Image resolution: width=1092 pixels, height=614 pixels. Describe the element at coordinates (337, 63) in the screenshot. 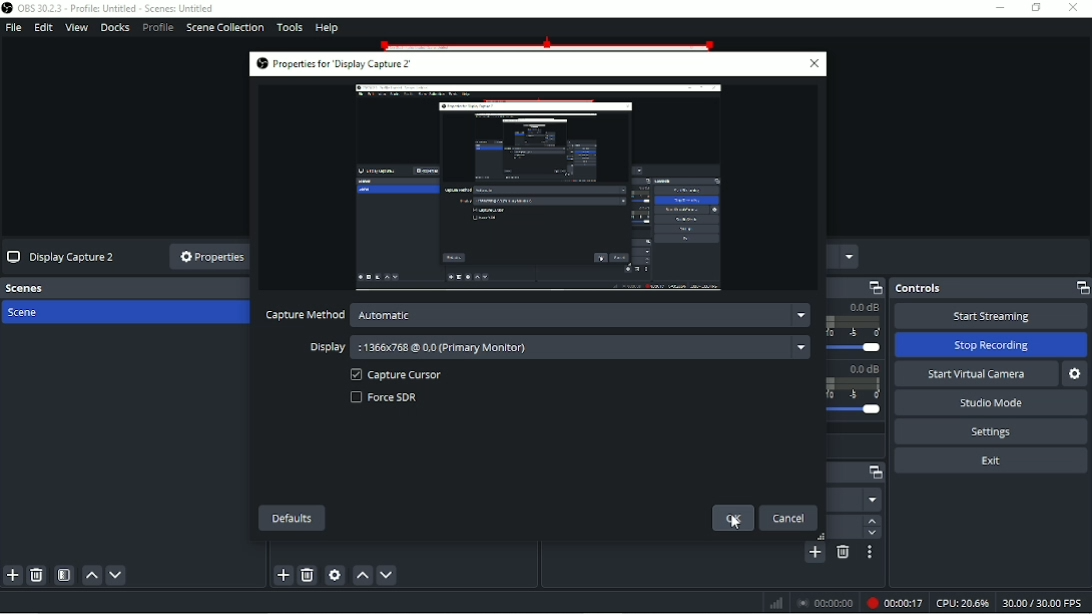

I see `Properties for 'Display Capture Z'` at that location.